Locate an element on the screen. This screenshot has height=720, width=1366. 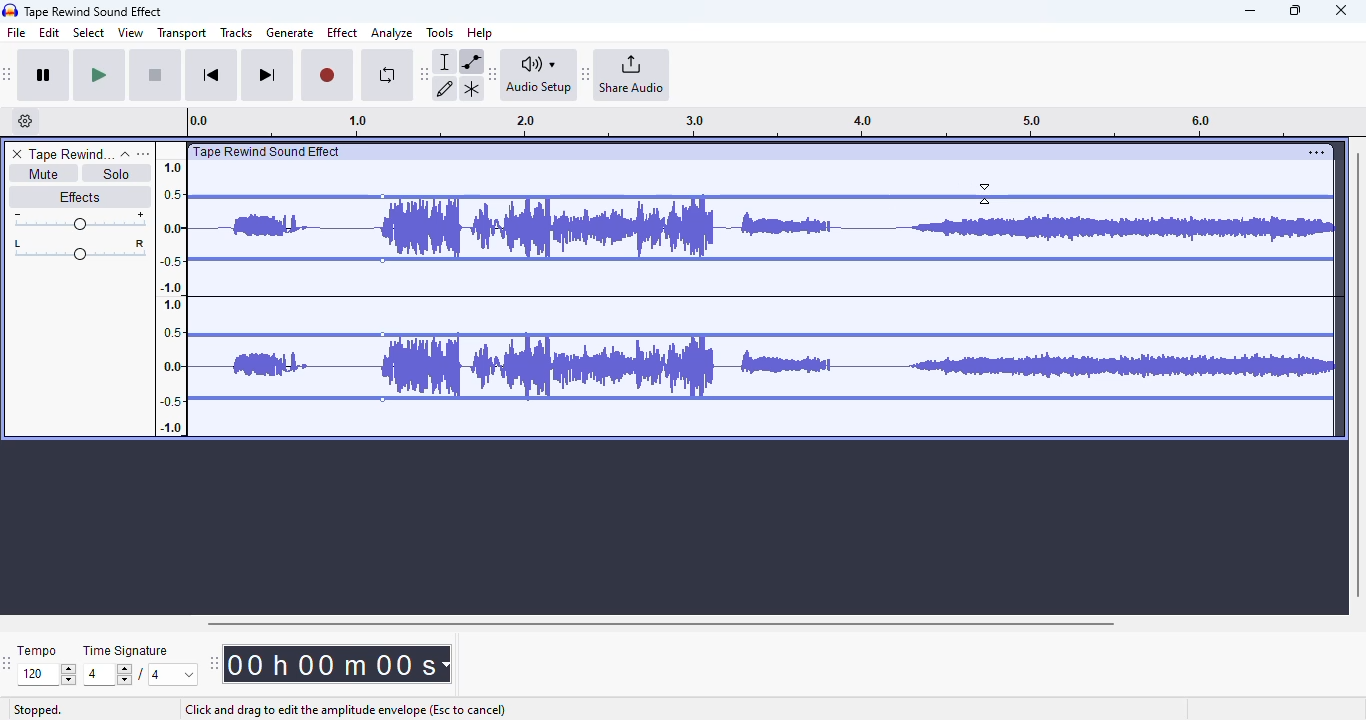
horizontal scroll bar is located at coordinates (660, 623).